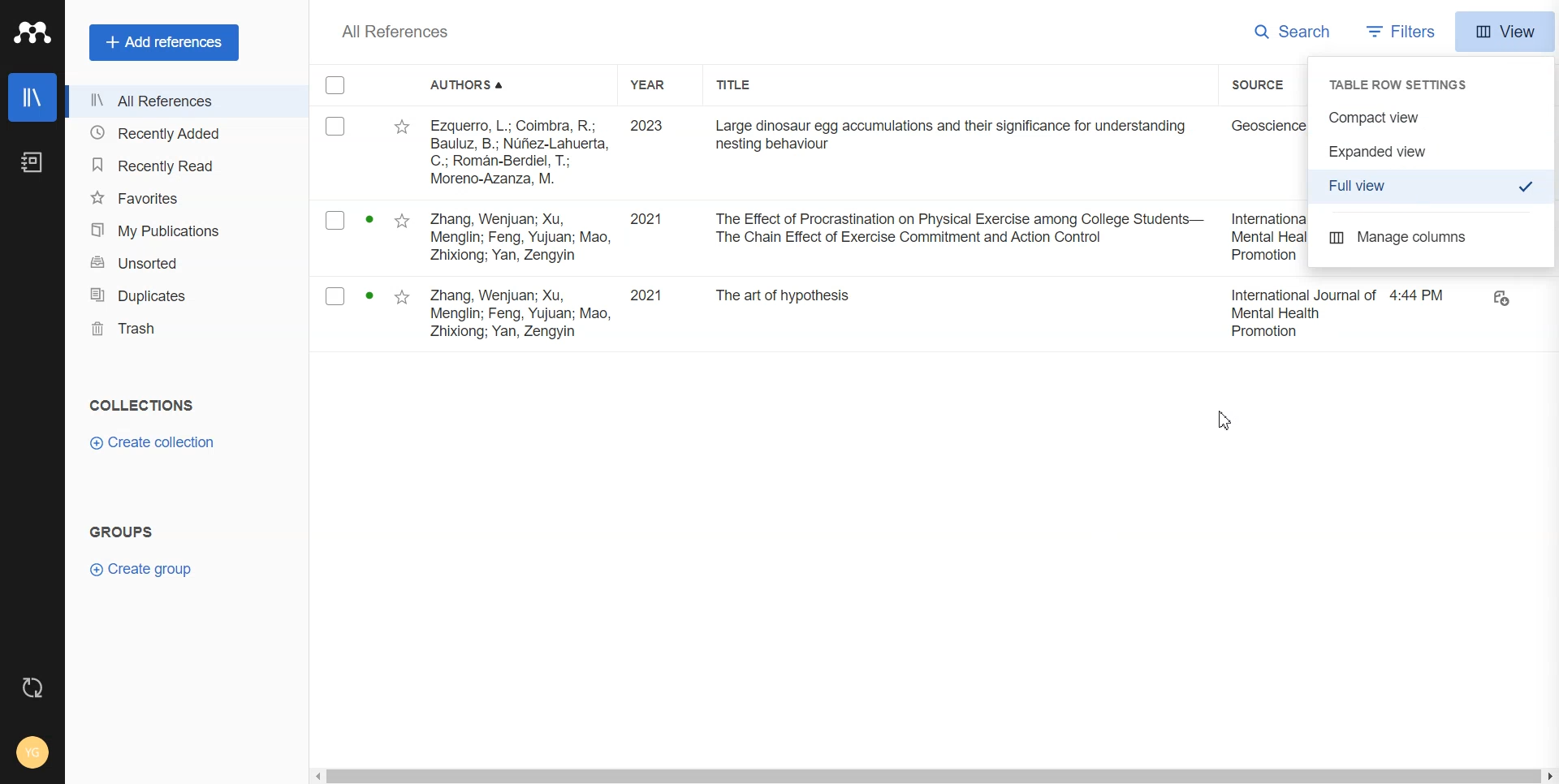 The width and height of the screenshot is (1559, 784). I want to click on File, so click(811, 238).